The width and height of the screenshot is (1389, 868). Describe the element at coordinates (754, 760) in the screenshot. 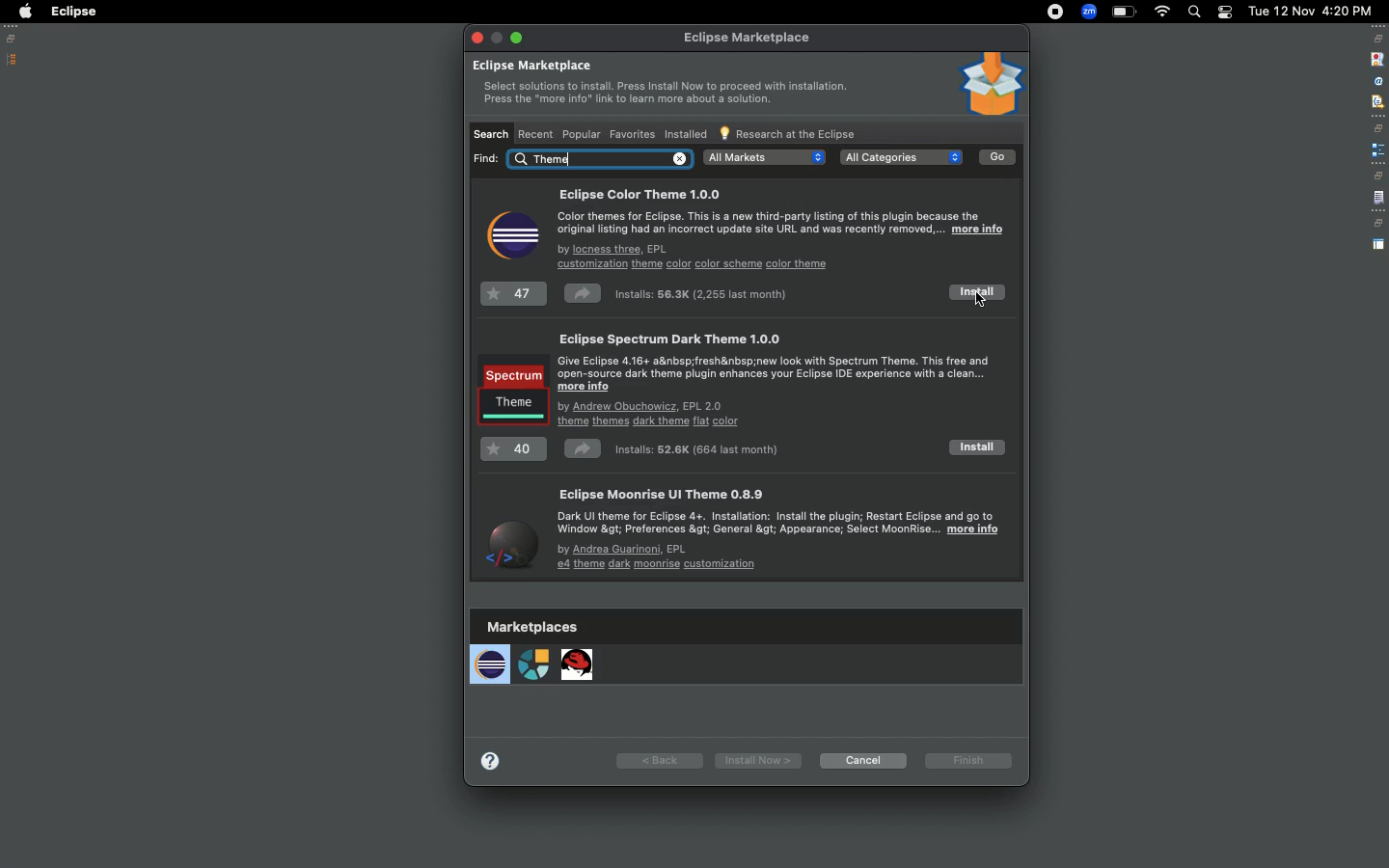

I see `Install now` at that location.